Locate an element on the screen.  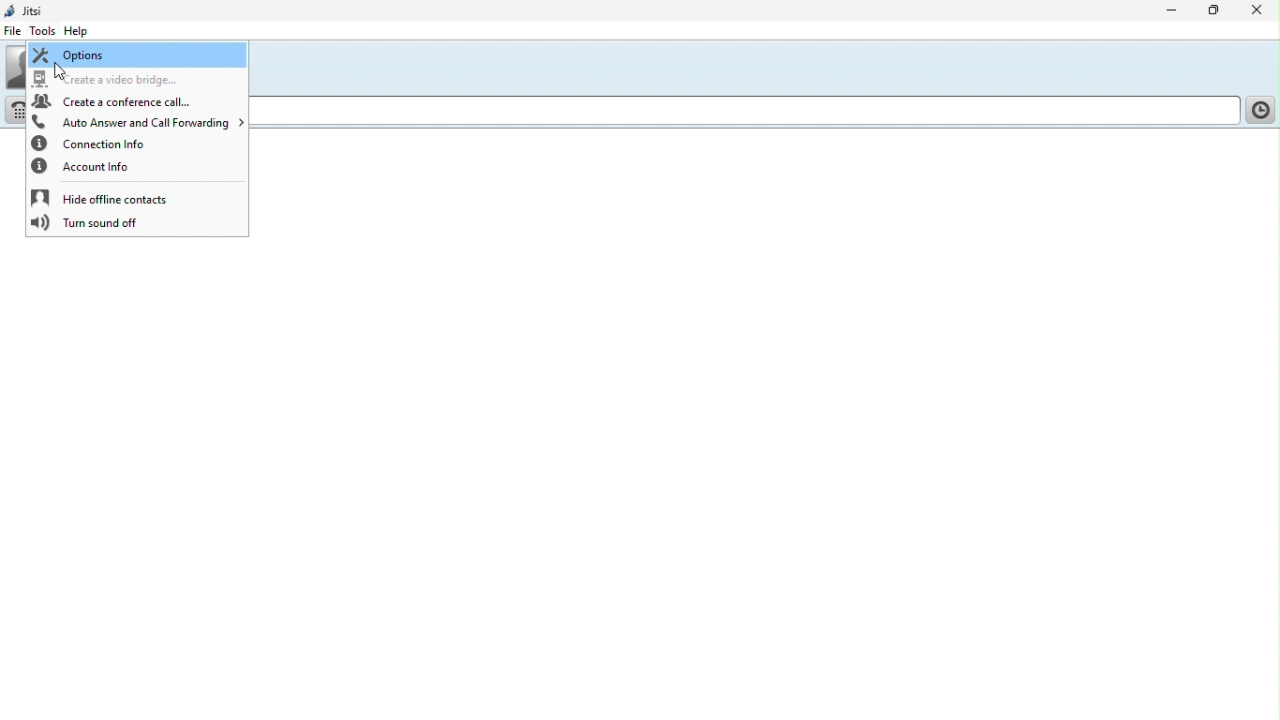
Tools is located at coordinates (42, 31).